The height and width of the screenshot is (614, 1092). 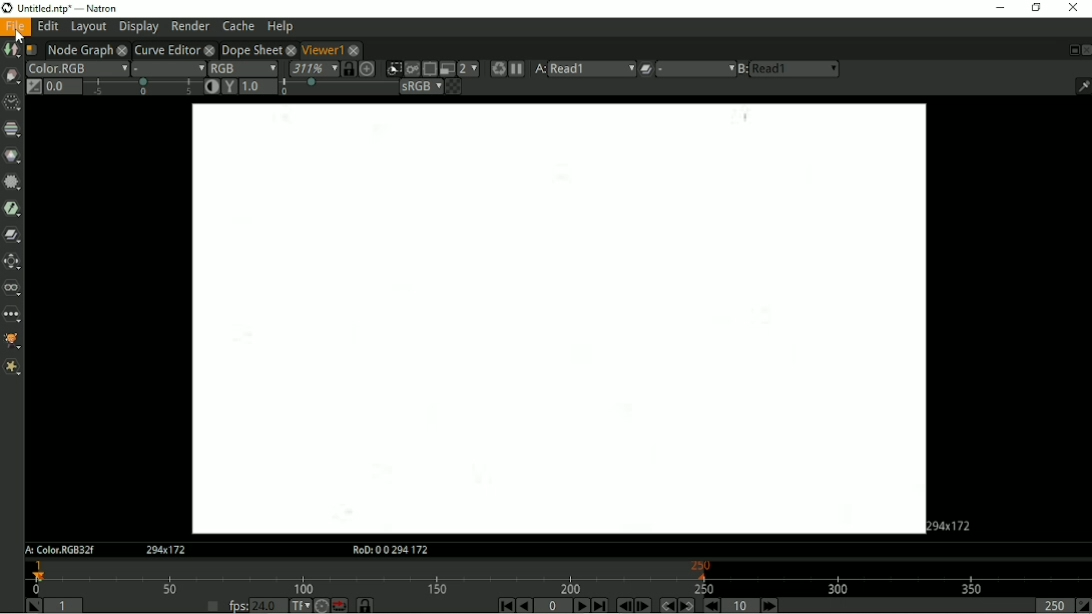 What do you see at coordinates (743, 70) in the screenshot?
I see `Viewer input B` at bounding box center [743, 70].